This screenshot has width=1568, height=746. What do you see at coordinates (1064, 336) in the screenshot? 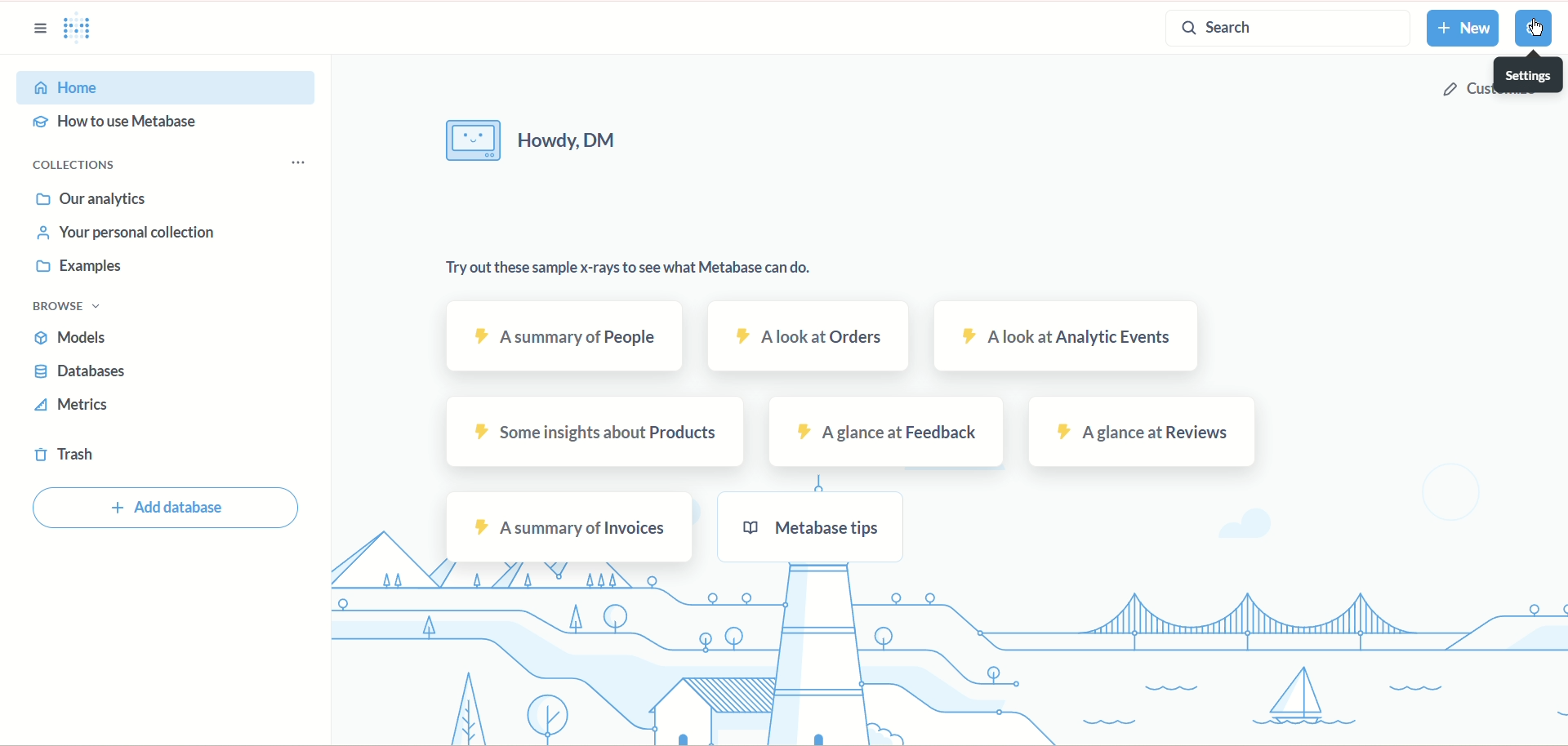
I see `a look at analytic events` at bounding box center [1064, 336].